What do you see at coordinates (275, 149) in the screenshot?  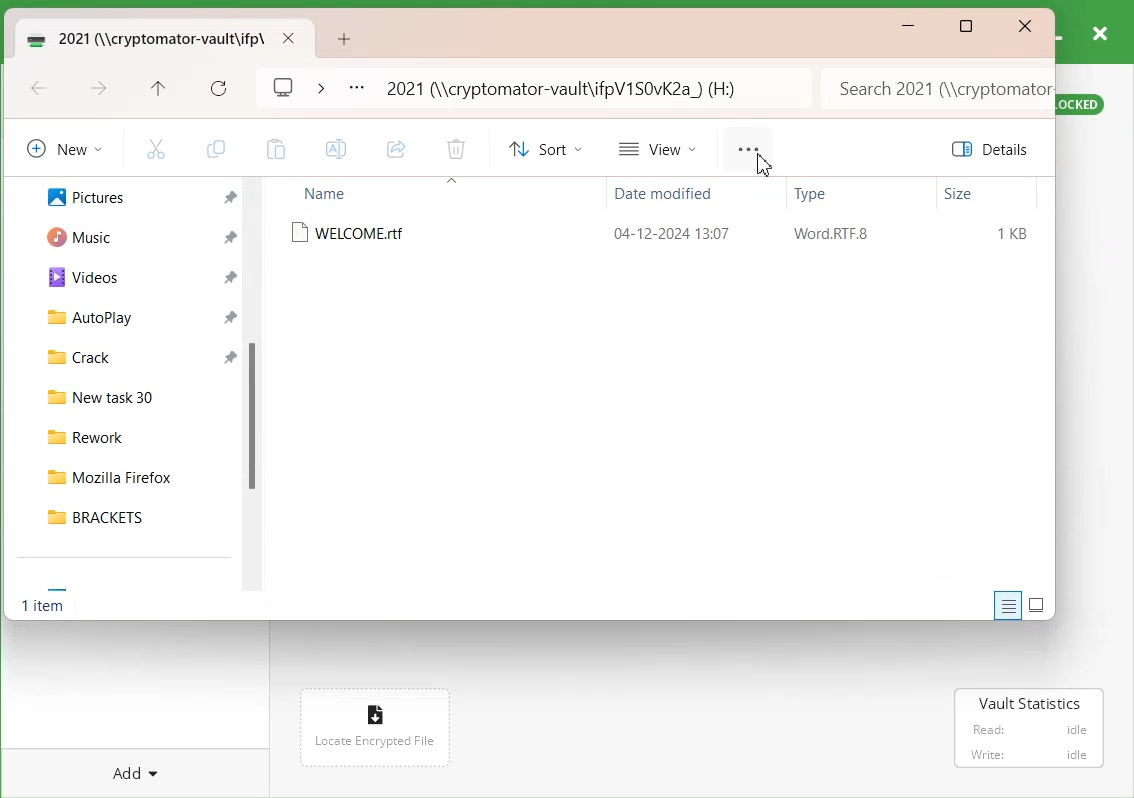 I see `Paste` at bounding box center [275, 149].